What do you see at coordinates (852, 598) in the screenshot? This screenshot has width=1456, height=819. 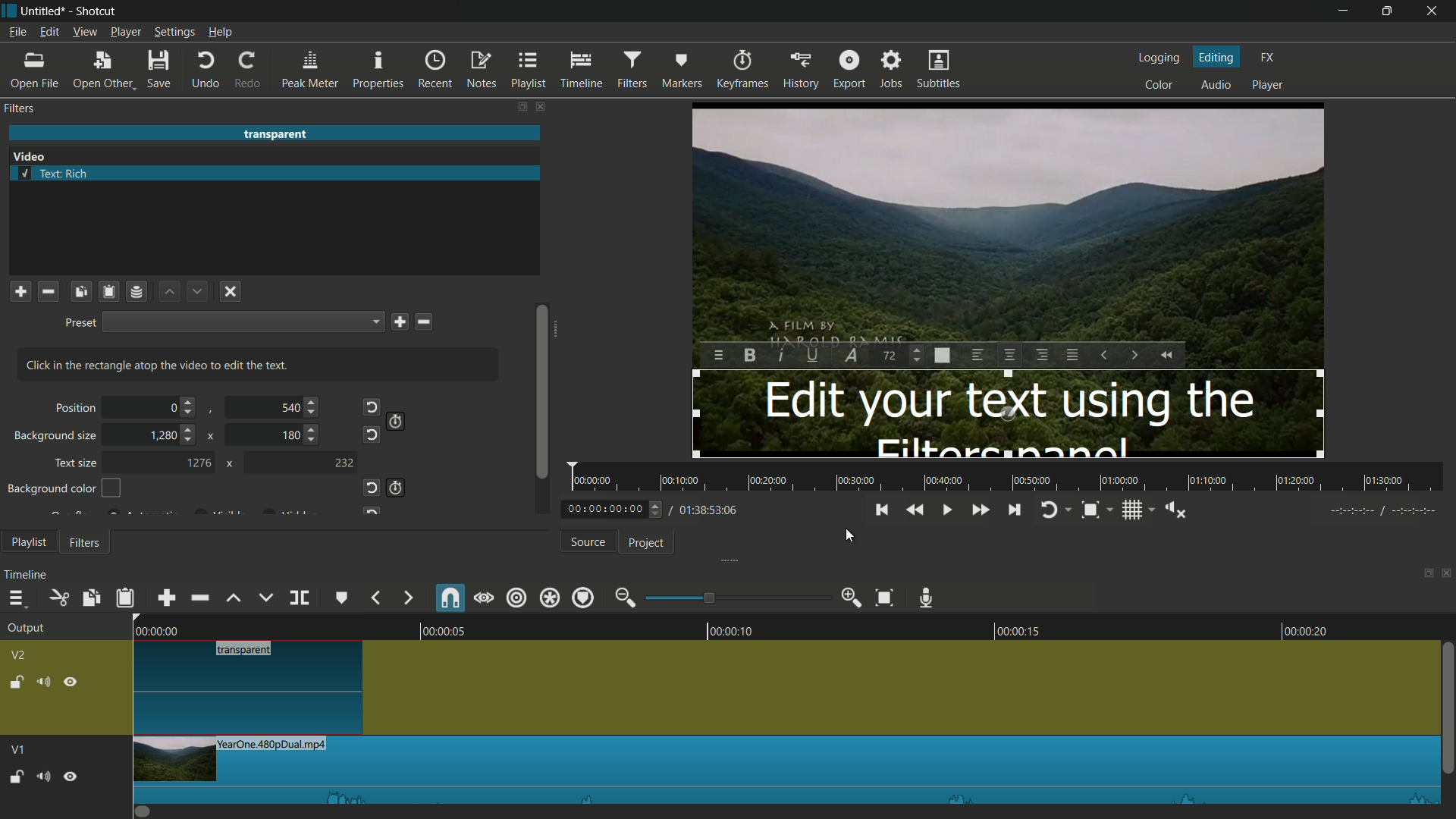 I see `zoom in` at bounding box center [852, 598].